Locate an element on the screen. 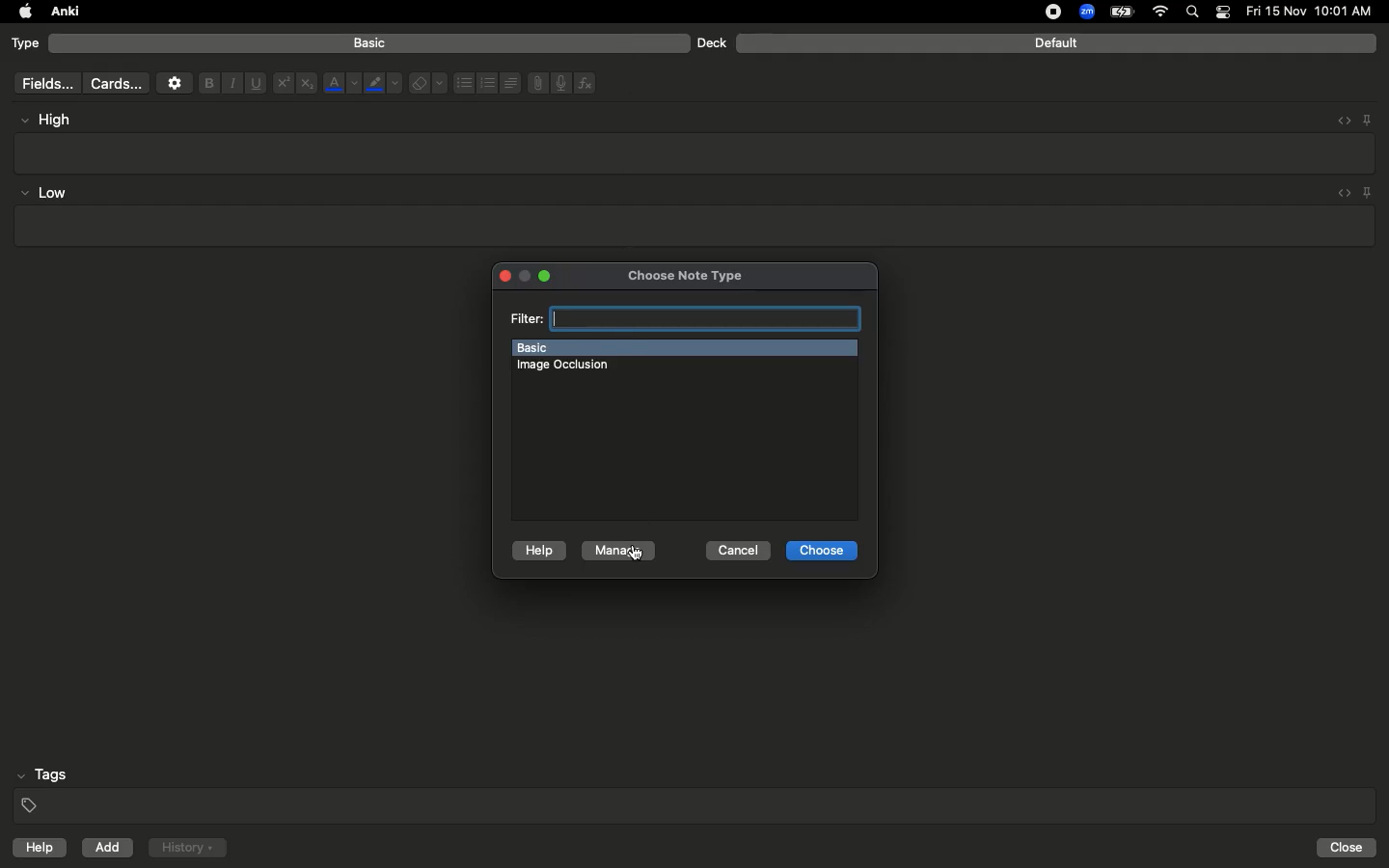 The height and width of the screenshot is (868, 1389). Fields is located at coordinates (43, 83).